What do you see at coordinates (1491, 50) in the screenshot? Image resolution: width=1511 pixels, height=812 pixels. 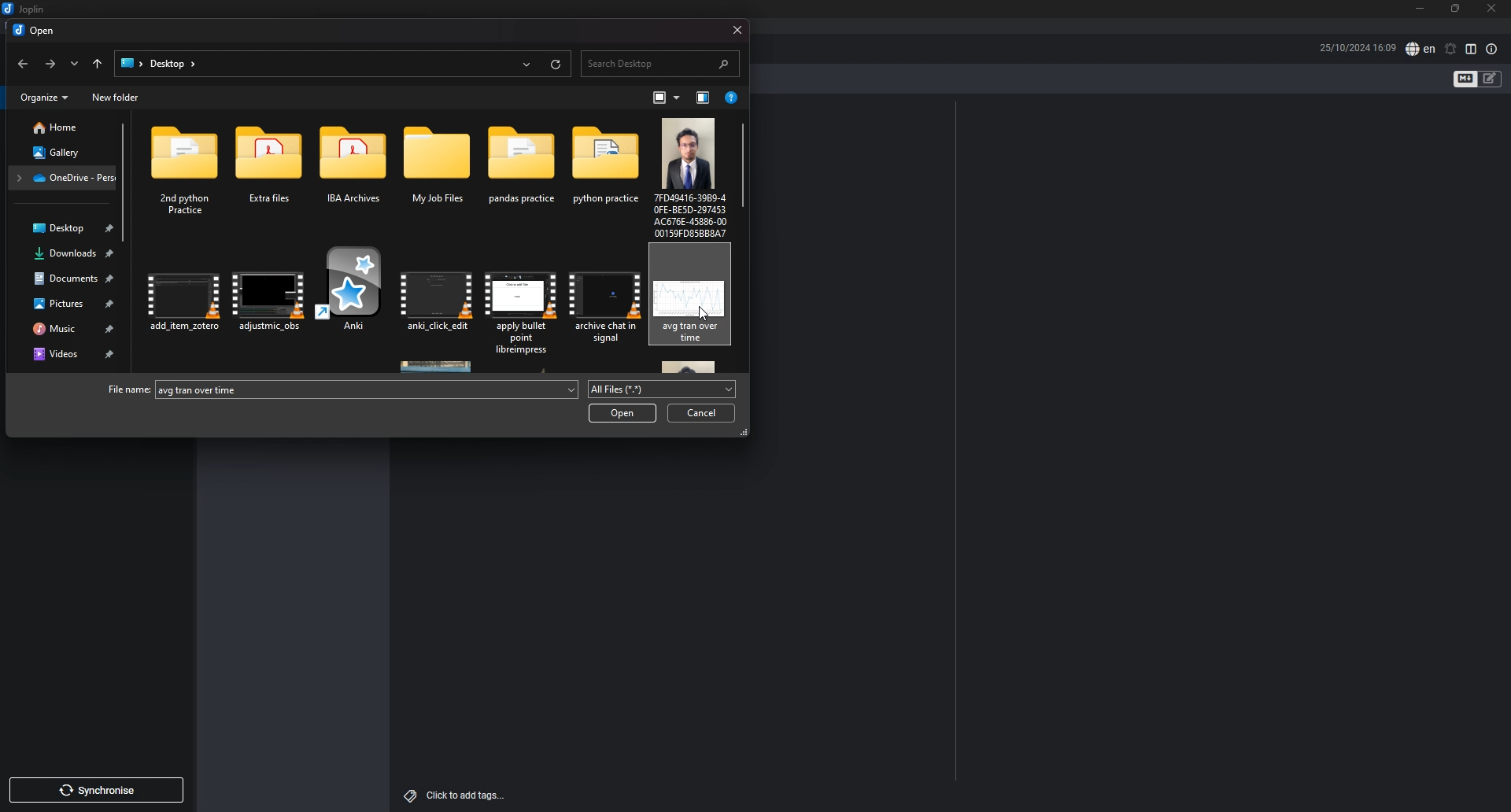 I see `note properties` at bounding box center [1491, 50].